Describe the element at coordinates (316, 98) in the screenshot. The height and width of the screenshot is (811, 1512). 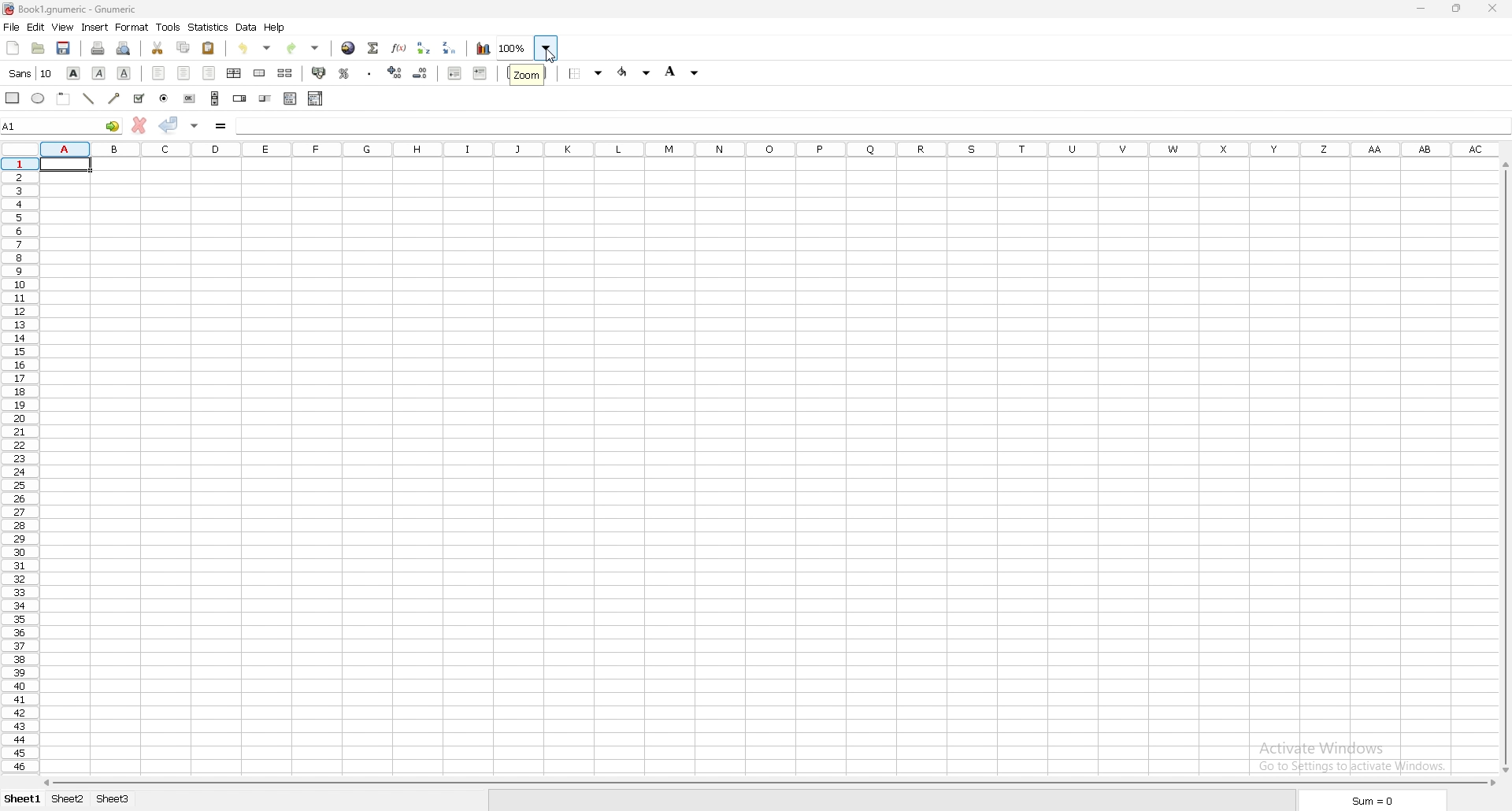
I see `combo box` at that location.